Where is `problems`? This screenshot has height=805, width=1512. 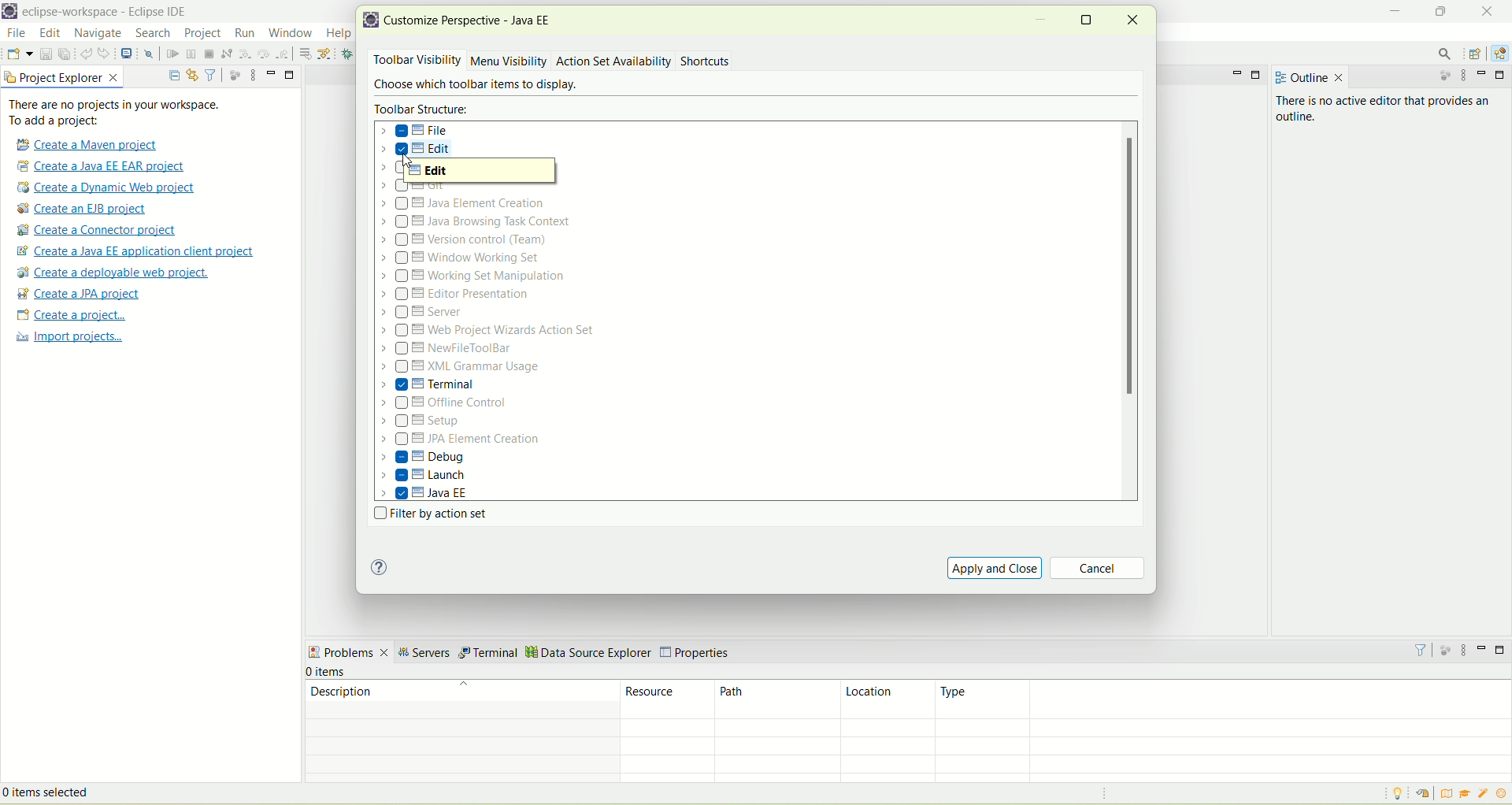
problems is located at coordinates (348, 654).